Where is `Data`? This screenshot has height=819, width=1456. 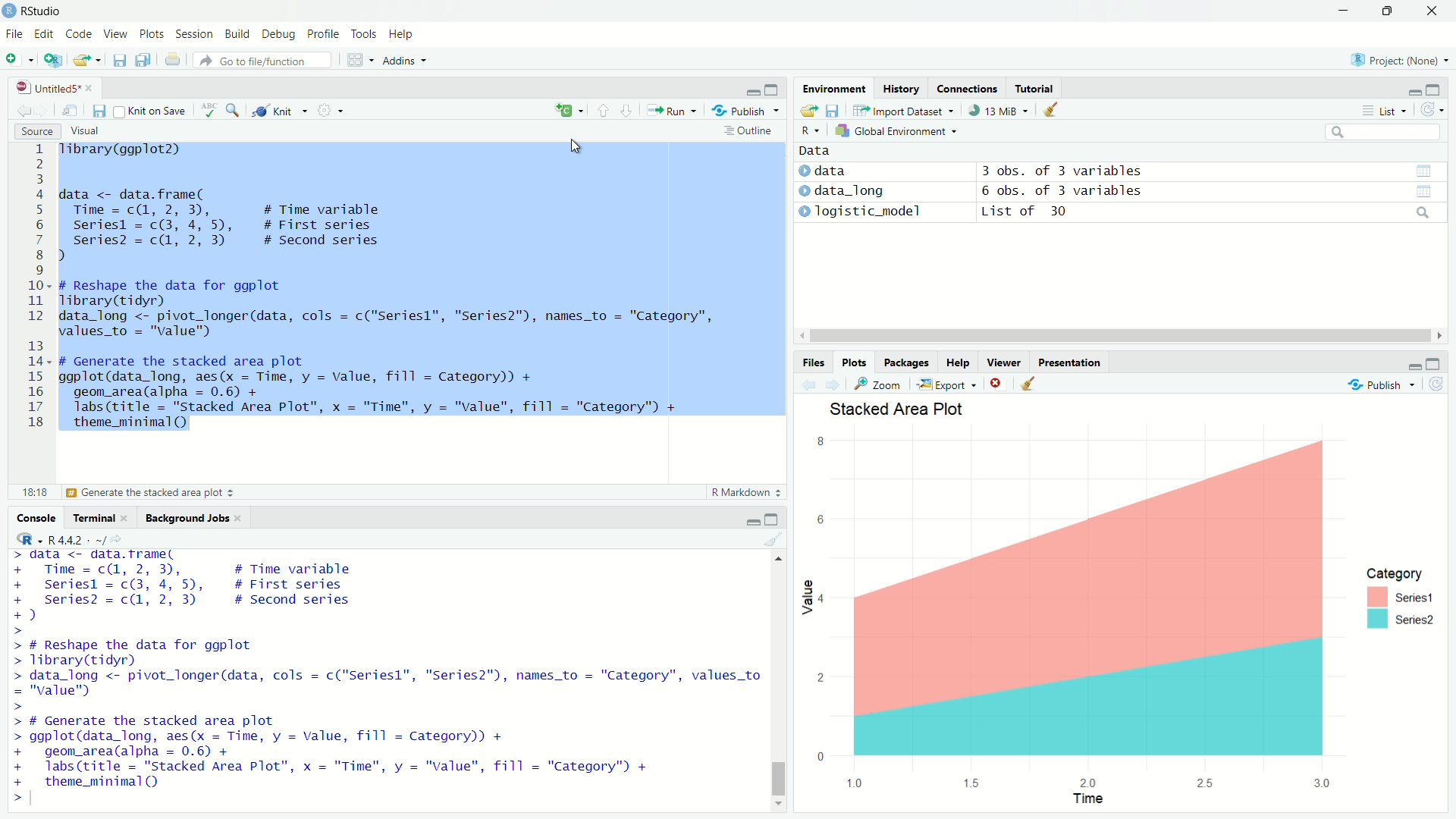
Data is located at coordinates (814, 151).